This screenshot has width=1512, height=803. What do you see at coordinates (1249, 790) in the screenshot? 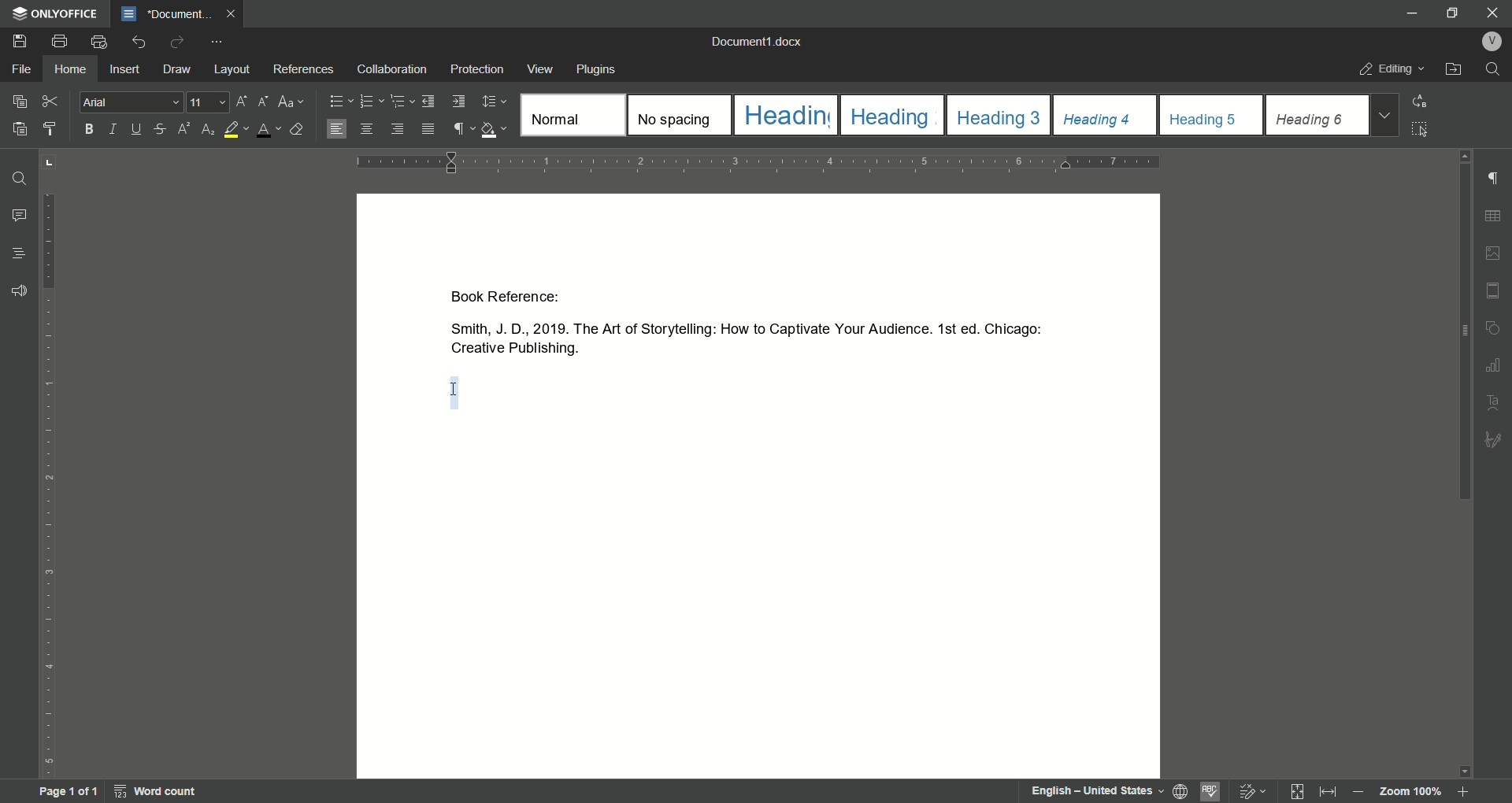
I see `track changes` at bounding box center [1249, 790].